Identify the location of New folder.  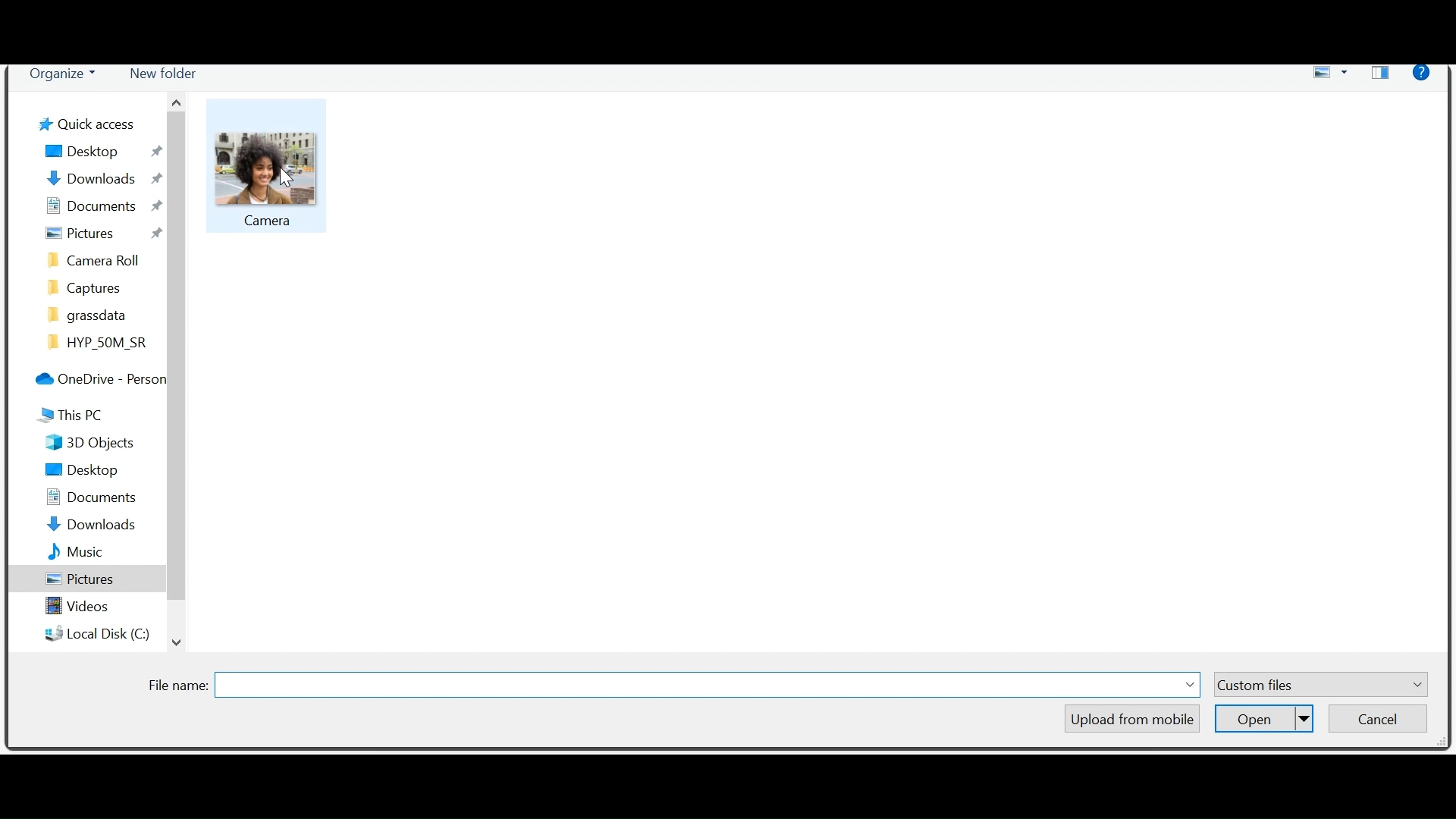
(165, 76).